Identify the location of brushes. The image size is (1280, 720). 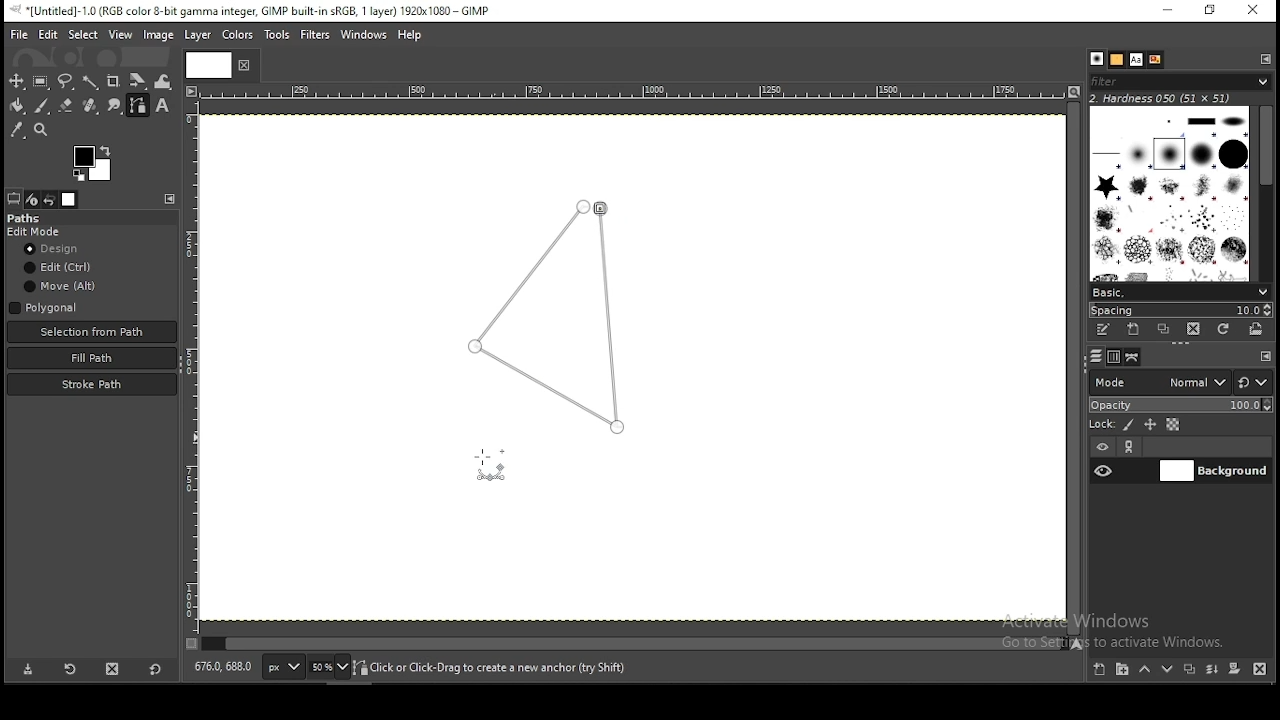
(1097, 59).